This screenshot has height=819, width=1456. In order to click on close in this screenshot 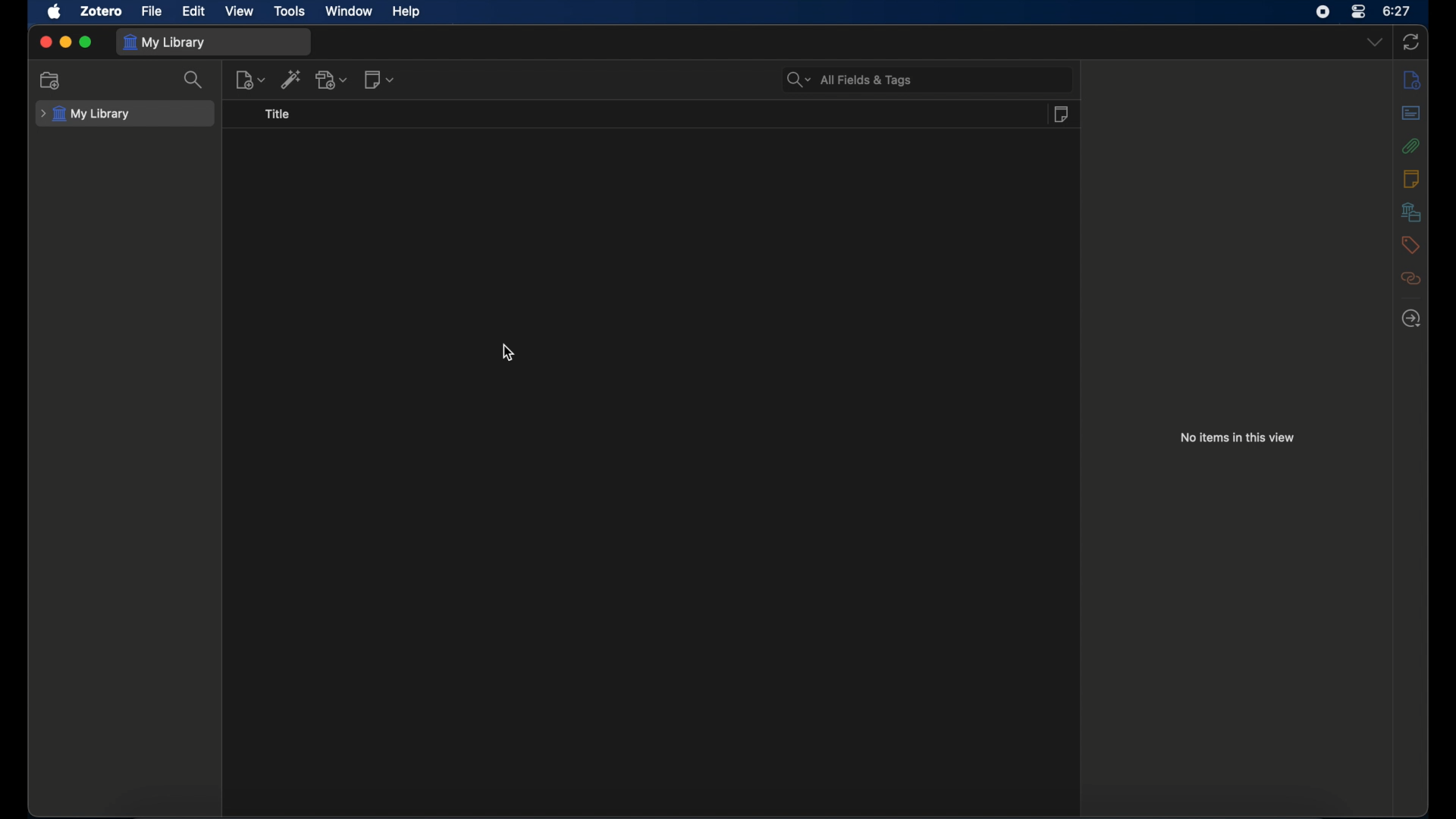, I will do `click(45, 43)`.